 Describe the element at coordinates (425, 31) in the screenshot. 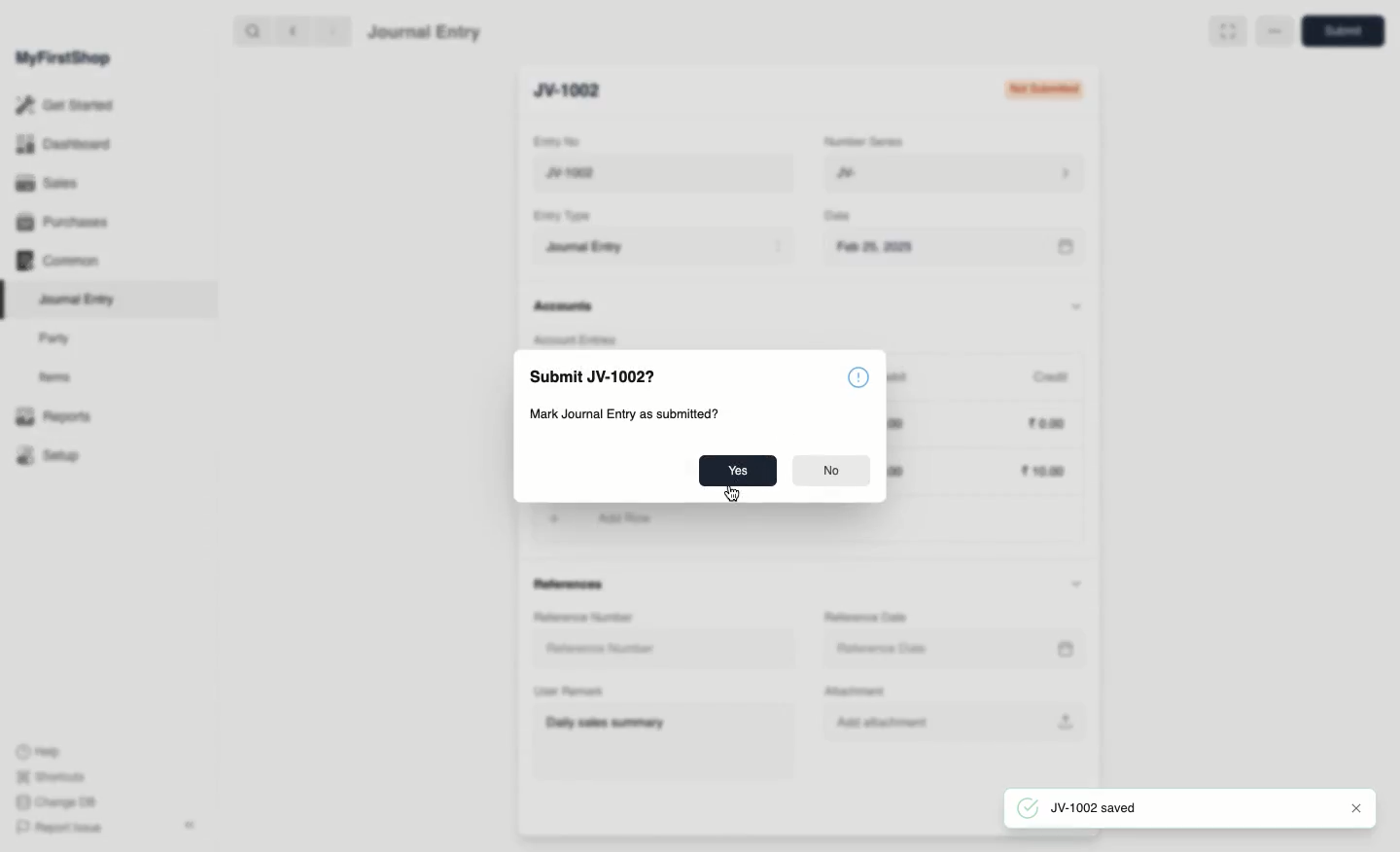

I see `Journal Entry` at that location.